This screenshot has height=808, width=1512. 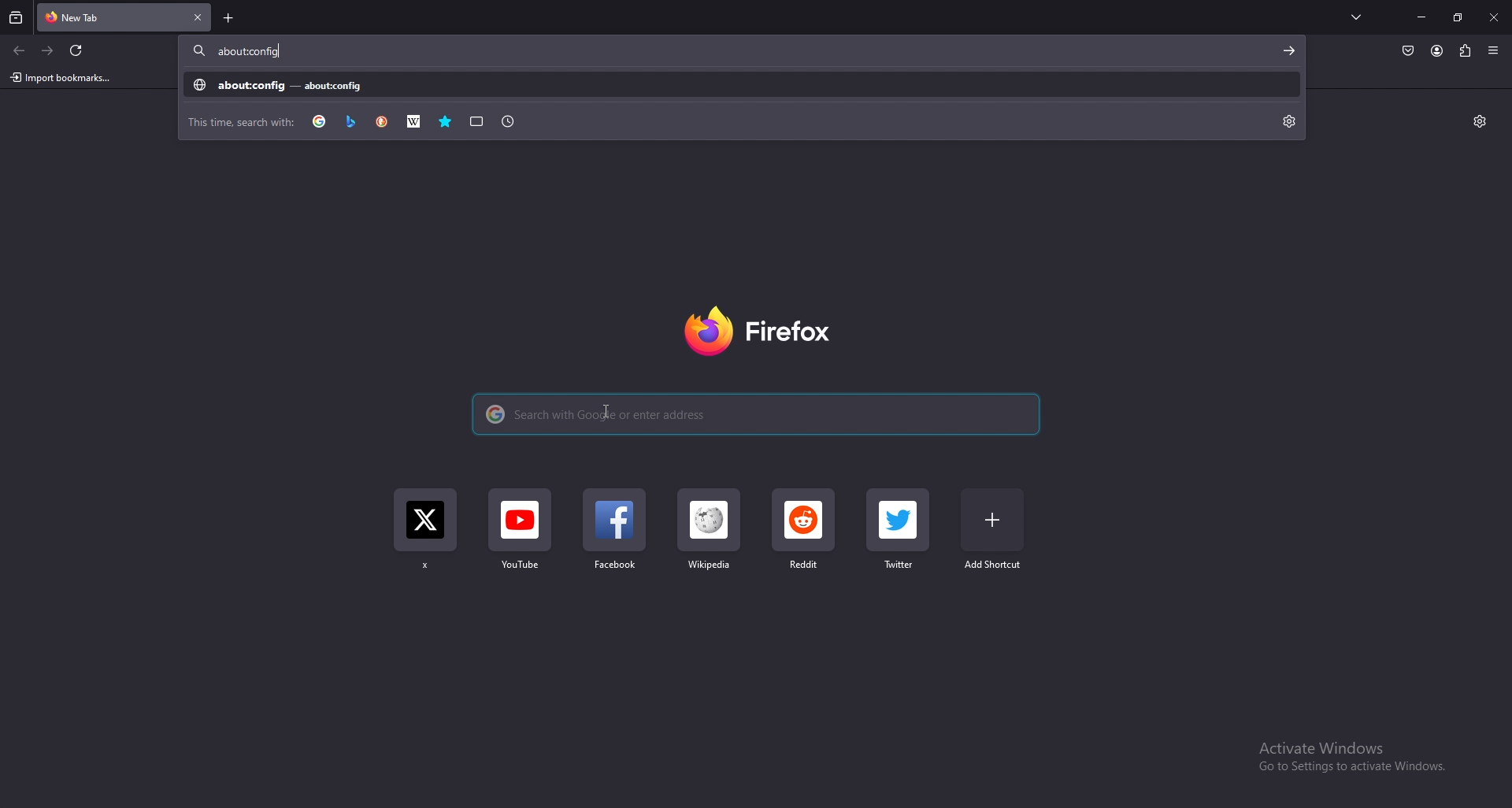 What do you see at coordinates (93, 16) in the screenshot?
I see `tab` at bounding box center [93, 16].